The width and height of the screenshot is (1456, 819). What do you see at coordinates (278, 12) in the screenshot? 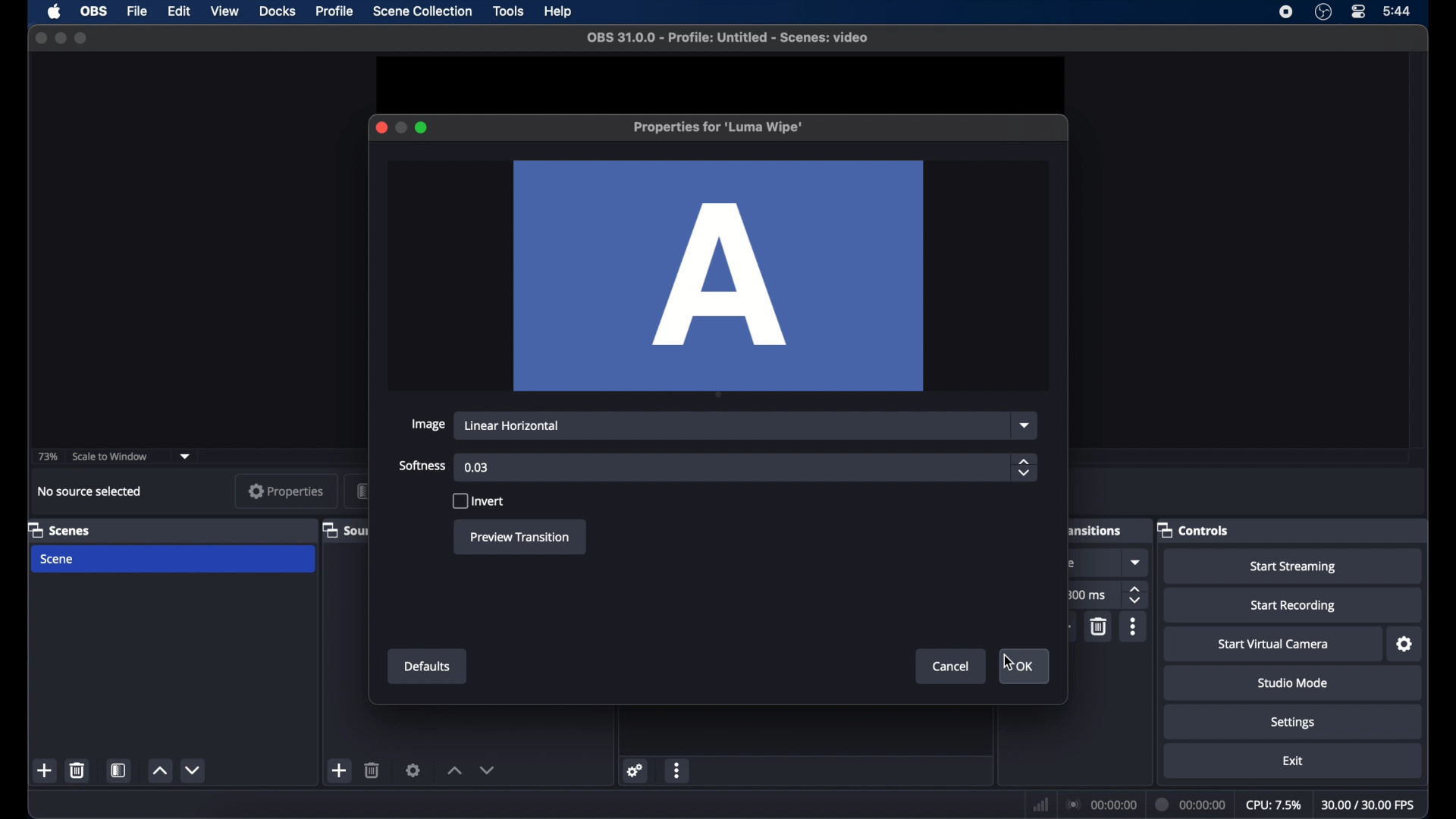
I see `docks` at bounding box center [278, 12].